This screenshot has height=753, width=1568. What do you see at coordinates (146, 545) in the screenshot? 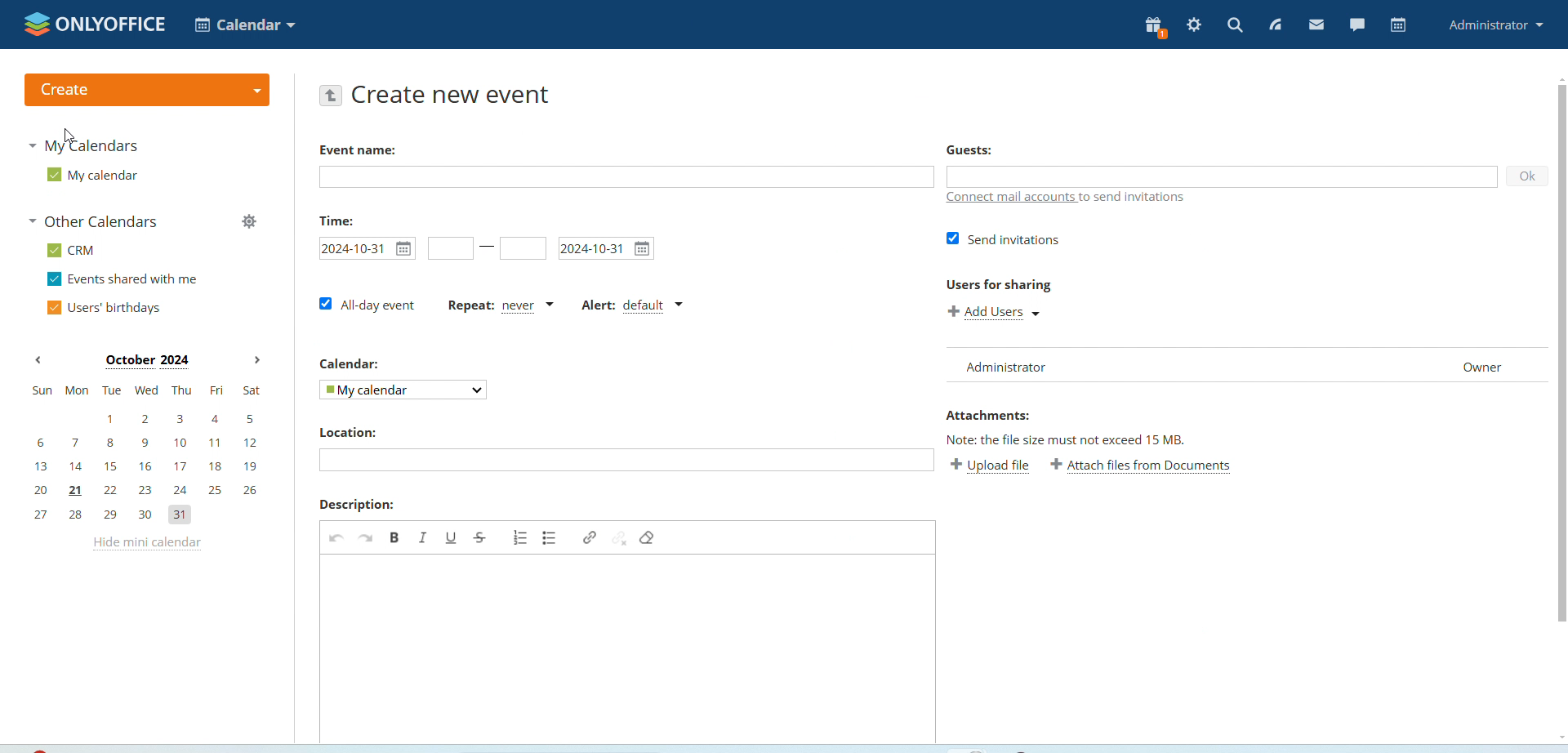
I see `hide mini calendar` at bounding box center [146, 545].